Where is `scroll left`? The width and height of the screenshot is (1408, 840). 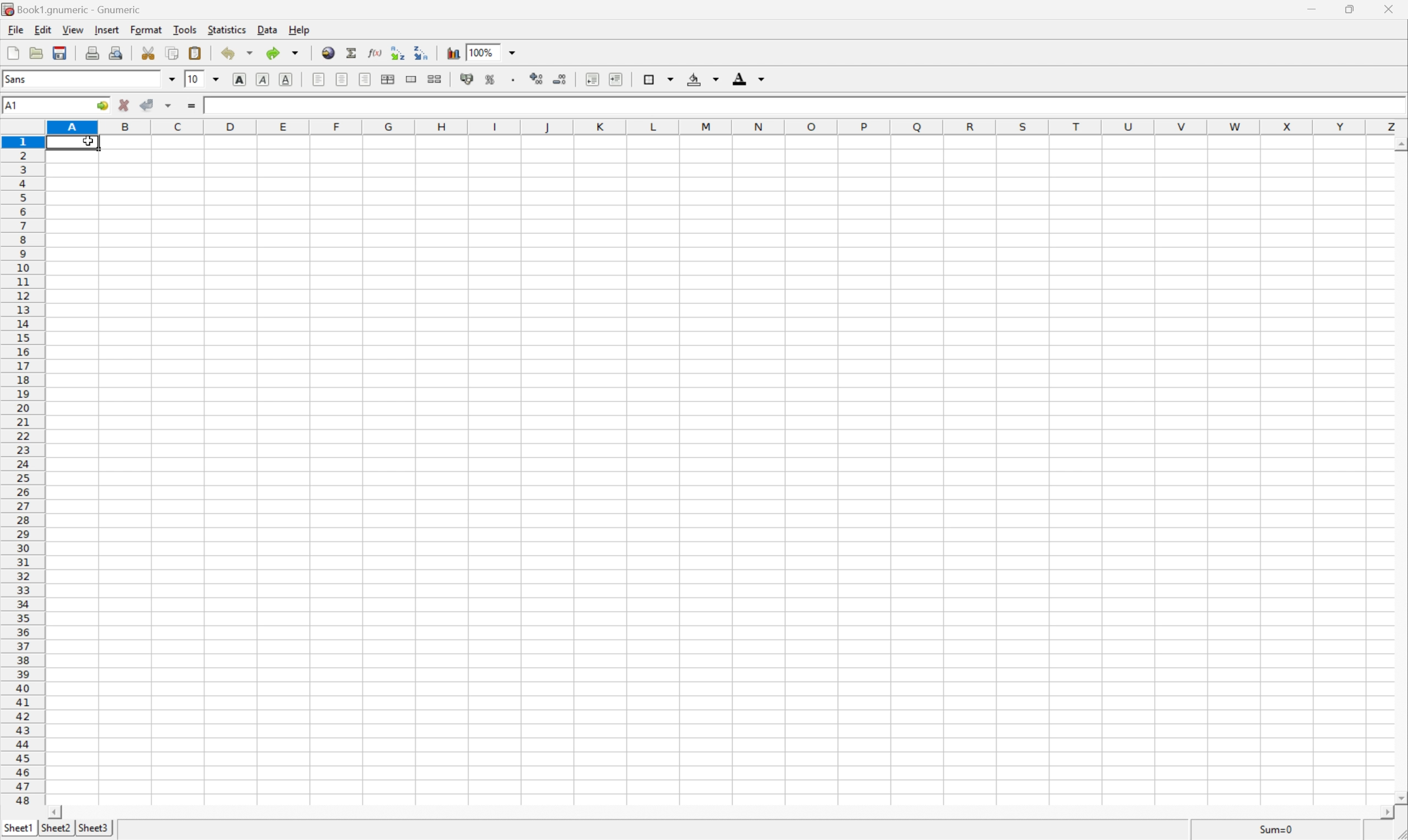
scroll left is located at coordinates (57, 812).